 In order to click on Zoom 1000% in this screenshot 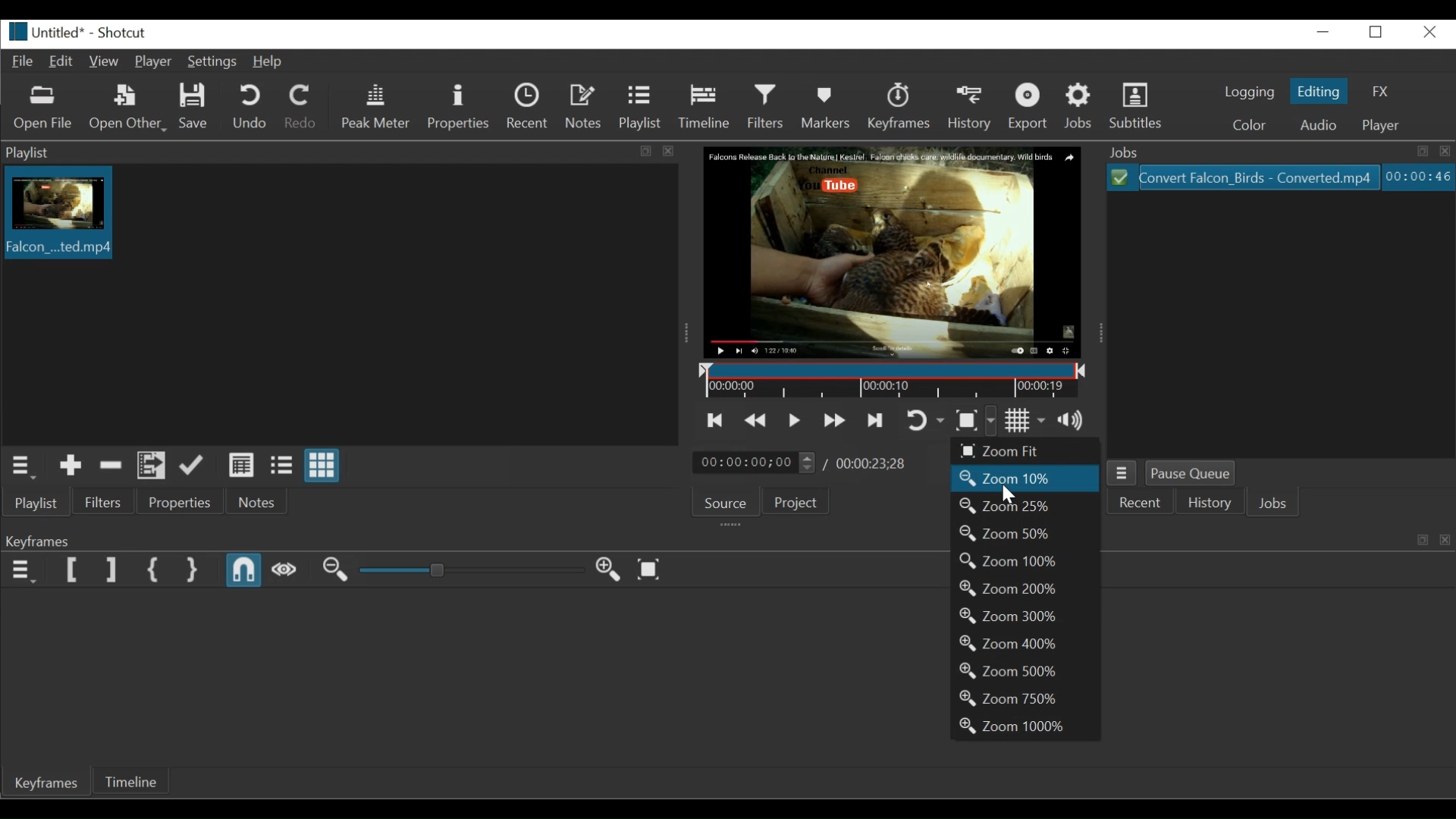, I will do `click(1025, 726)`.